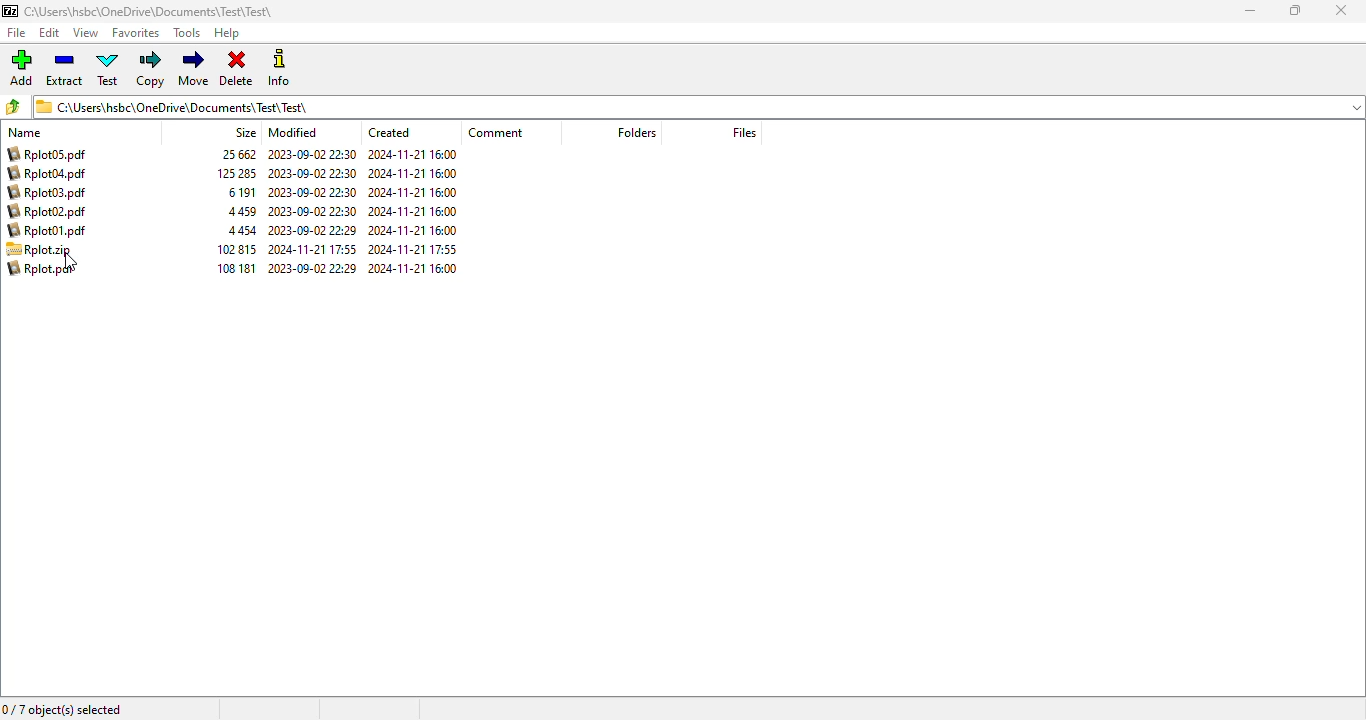 This screenshot has height=720, width=1366. I want to click on 2024-11-21 17:55, so click(315, 249).